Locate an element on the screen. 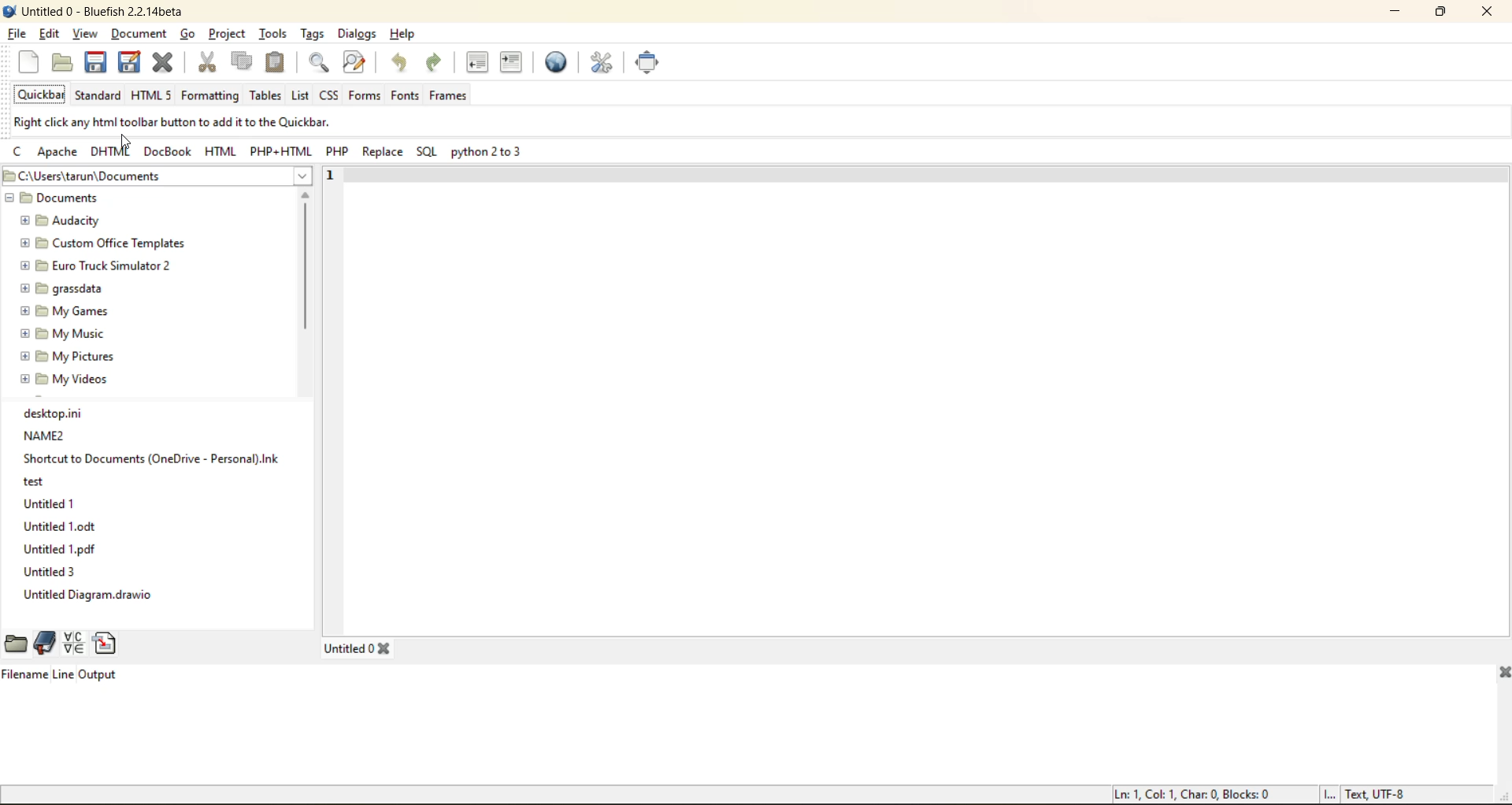 This screenshot has width=1512, height=805. dhtml is located at coordinates (111, 154).